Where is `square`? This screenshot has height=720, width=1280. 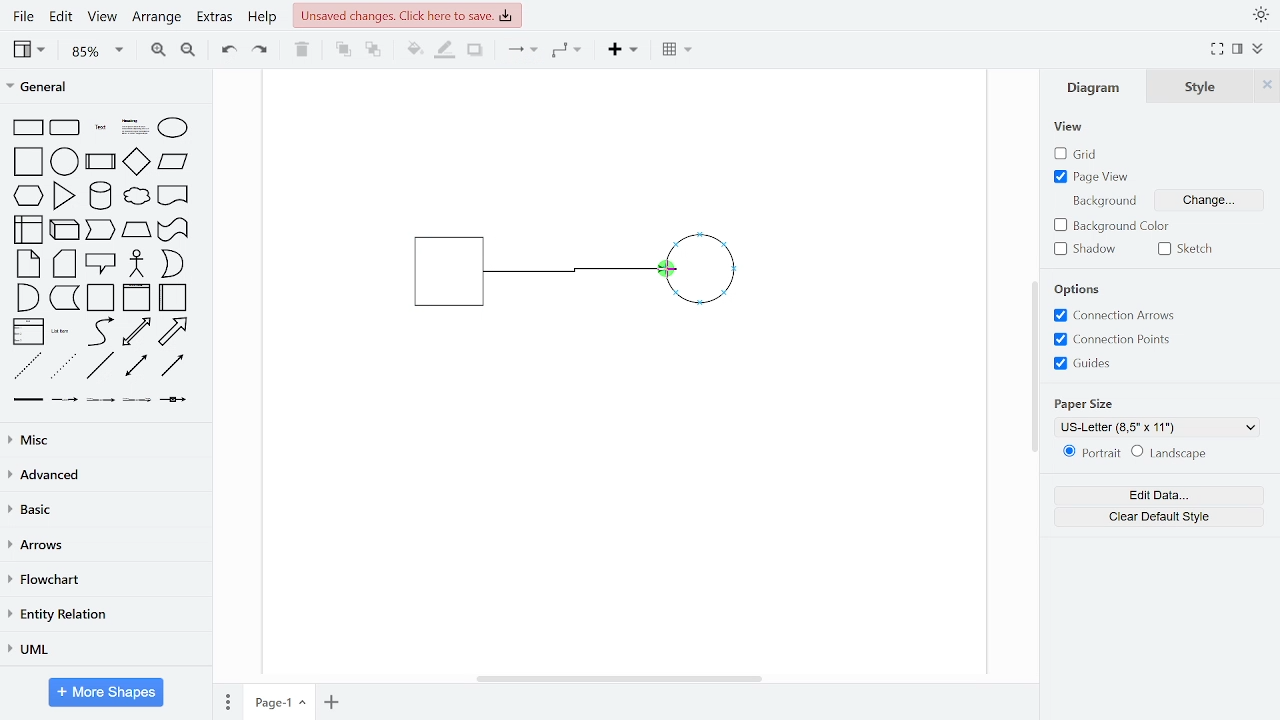 square is located at coordinates (30, 163).